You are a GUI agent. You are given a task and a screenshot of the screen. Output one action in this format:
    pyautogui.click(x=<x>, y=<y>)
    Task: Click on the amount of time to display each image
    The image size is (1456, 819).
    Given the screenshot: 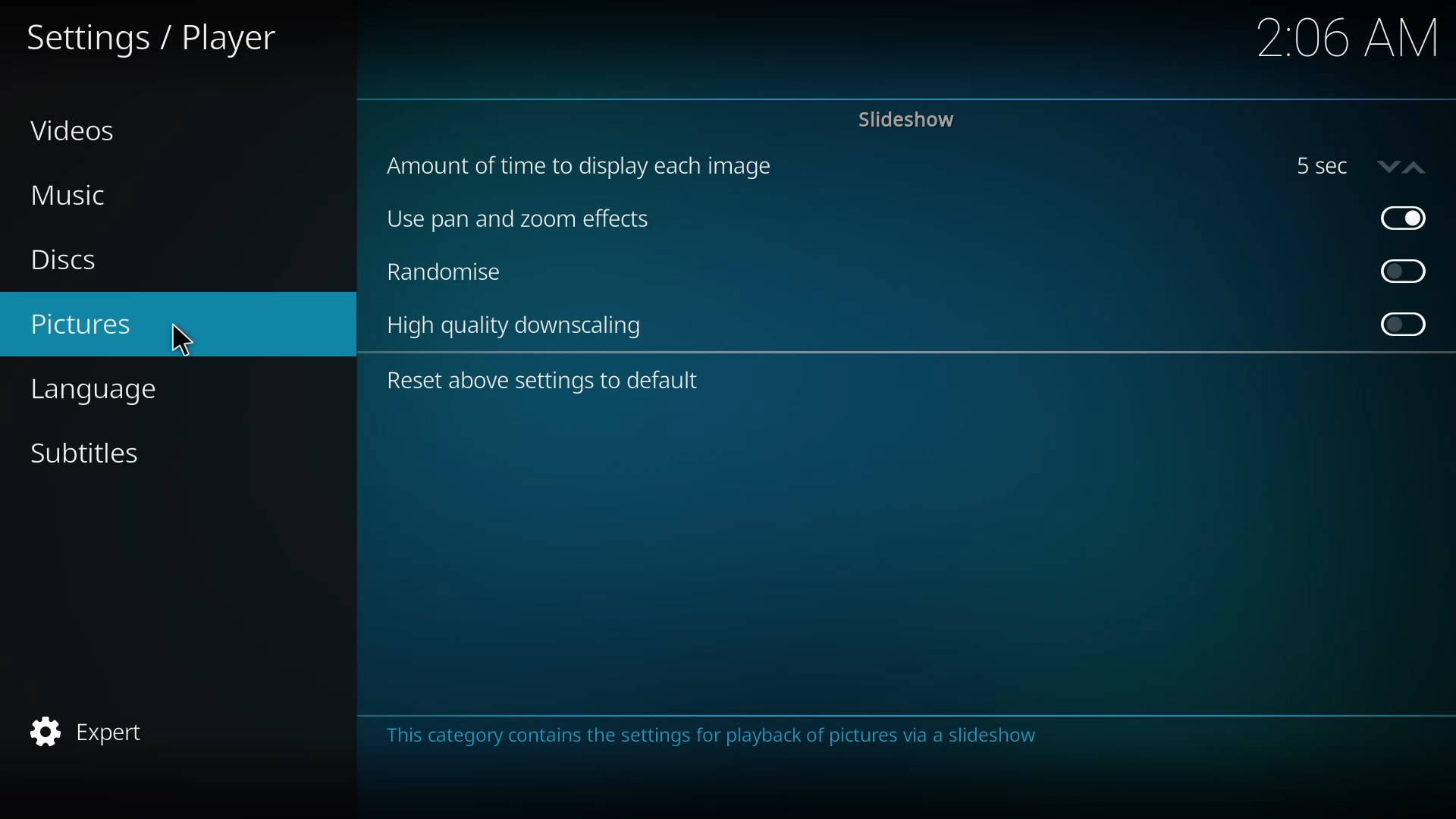 What is the action you would take?
    pyautogui.click(x=589, y=167)
    